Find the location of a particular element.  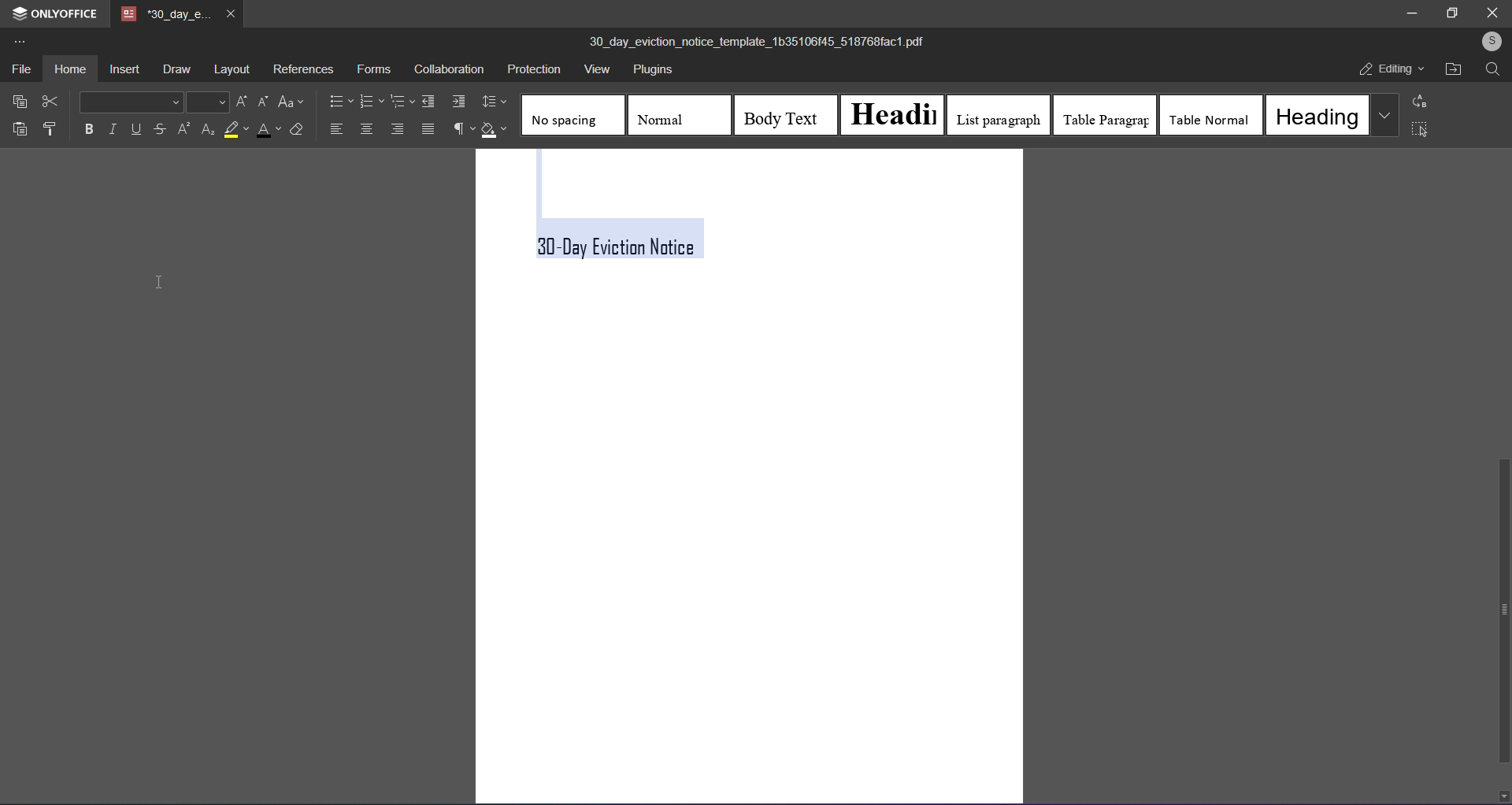

numbering is located at coordinates (371, 100).